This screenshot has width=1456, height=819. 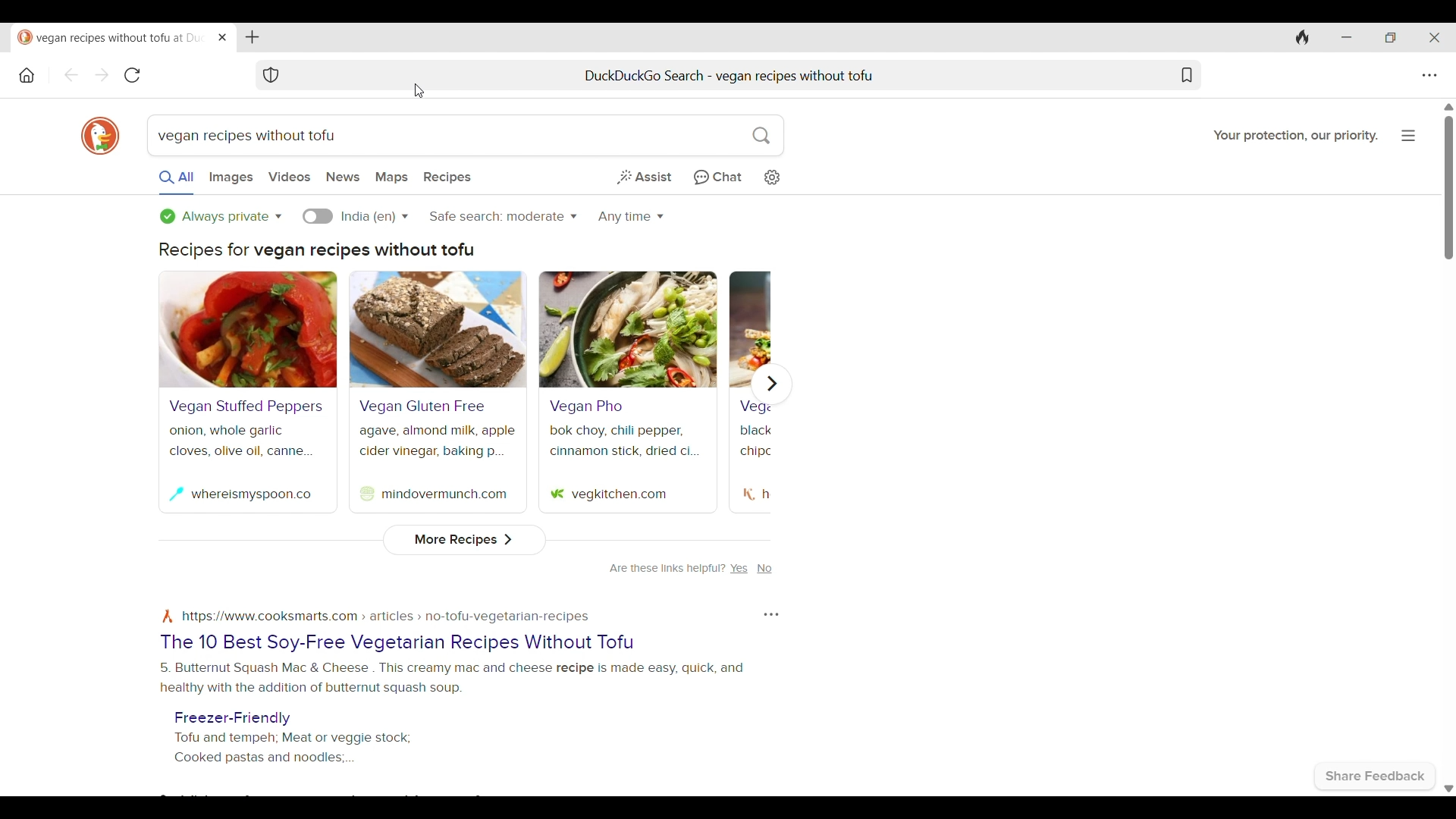 I want to click on Search maps, so click(x=391, y=178).